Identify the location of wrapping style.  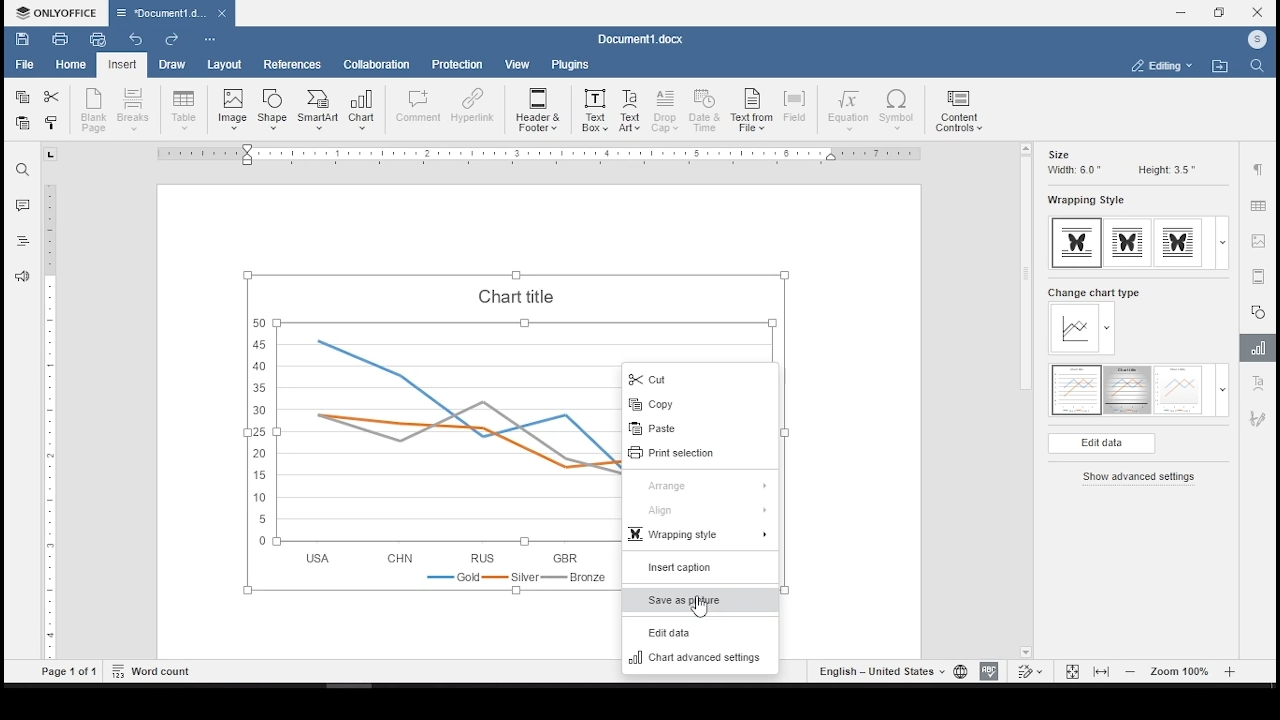
(1128, 244).